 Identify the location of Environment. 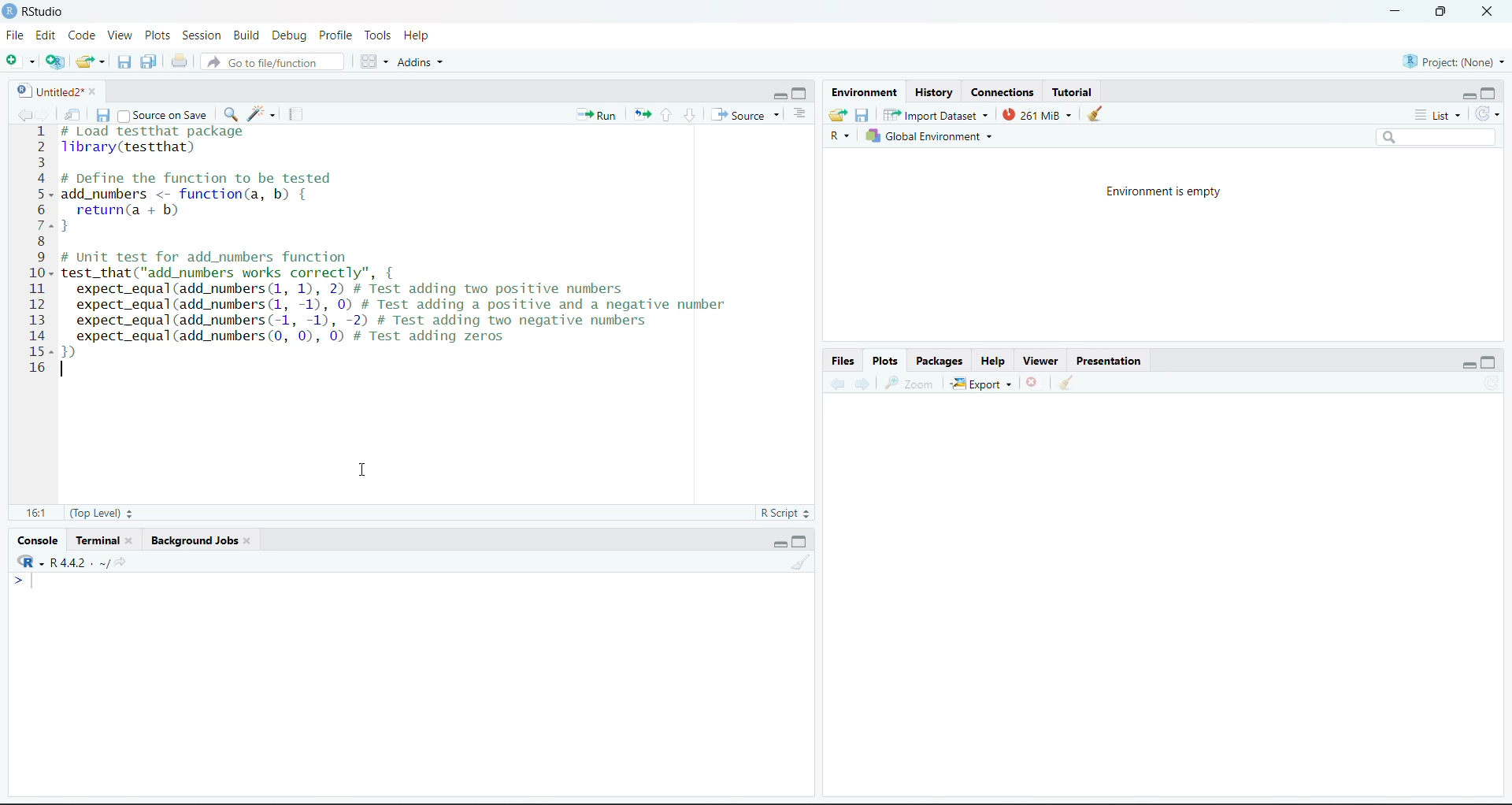
(865, 92).